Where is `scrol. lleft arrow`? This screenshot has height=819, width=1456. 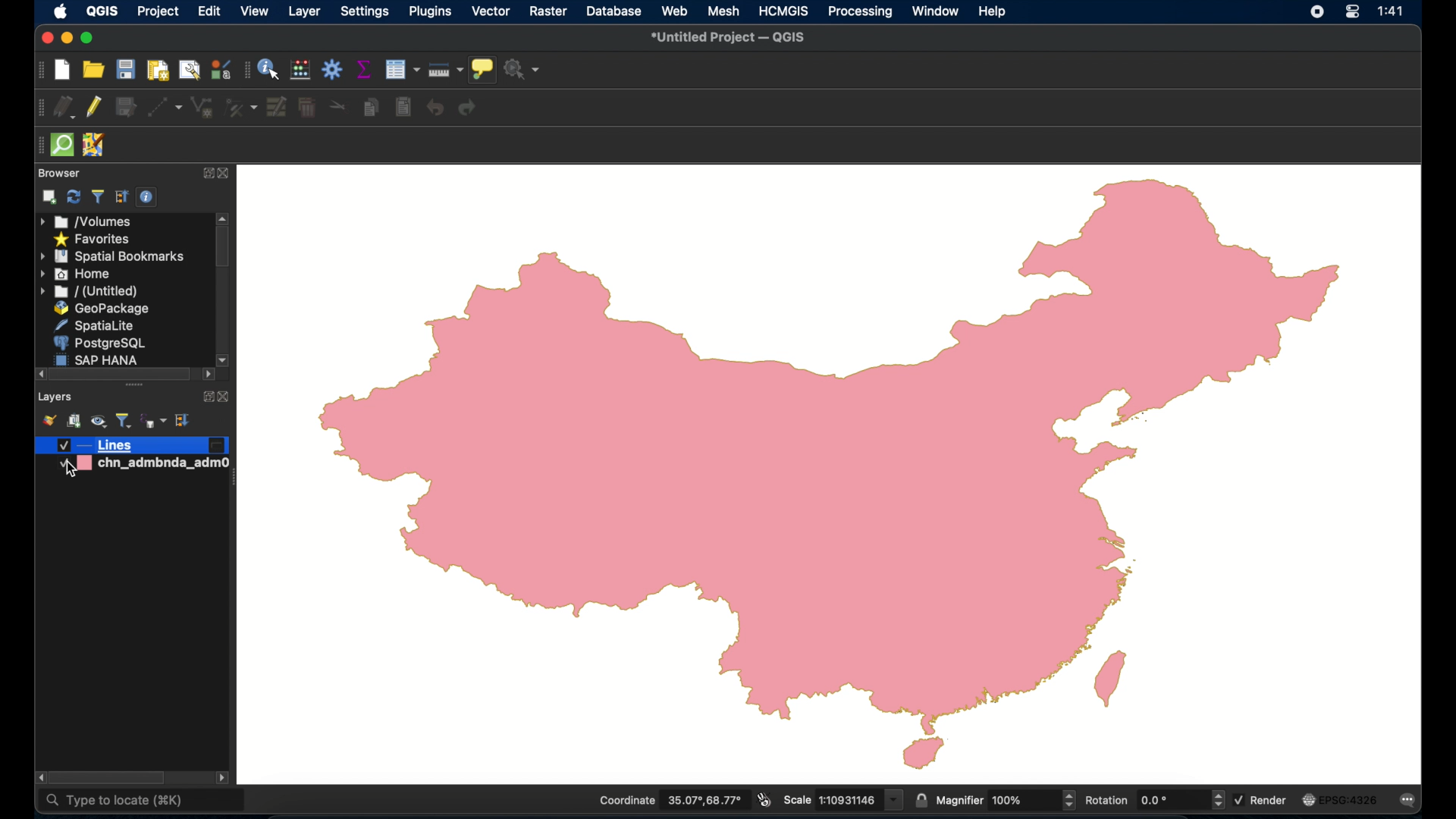 scrol. lleft arrow is located at coordinates (224, 779).